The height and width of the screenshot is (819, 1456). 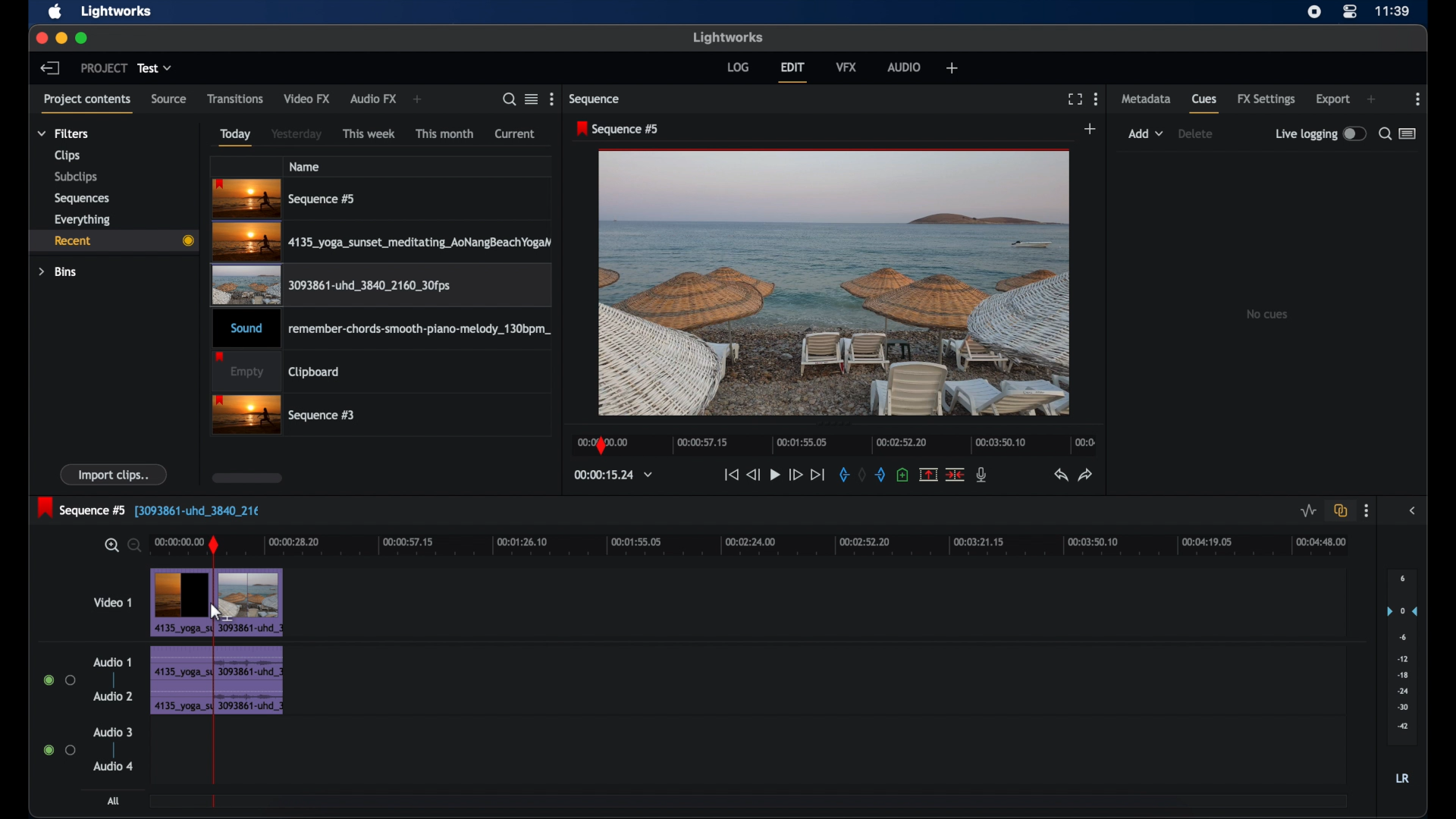 What do you see at coordinates (1307, 511) in the screenshot?
I see `toggle audio levels editing` at bounding box center [1307, 511].